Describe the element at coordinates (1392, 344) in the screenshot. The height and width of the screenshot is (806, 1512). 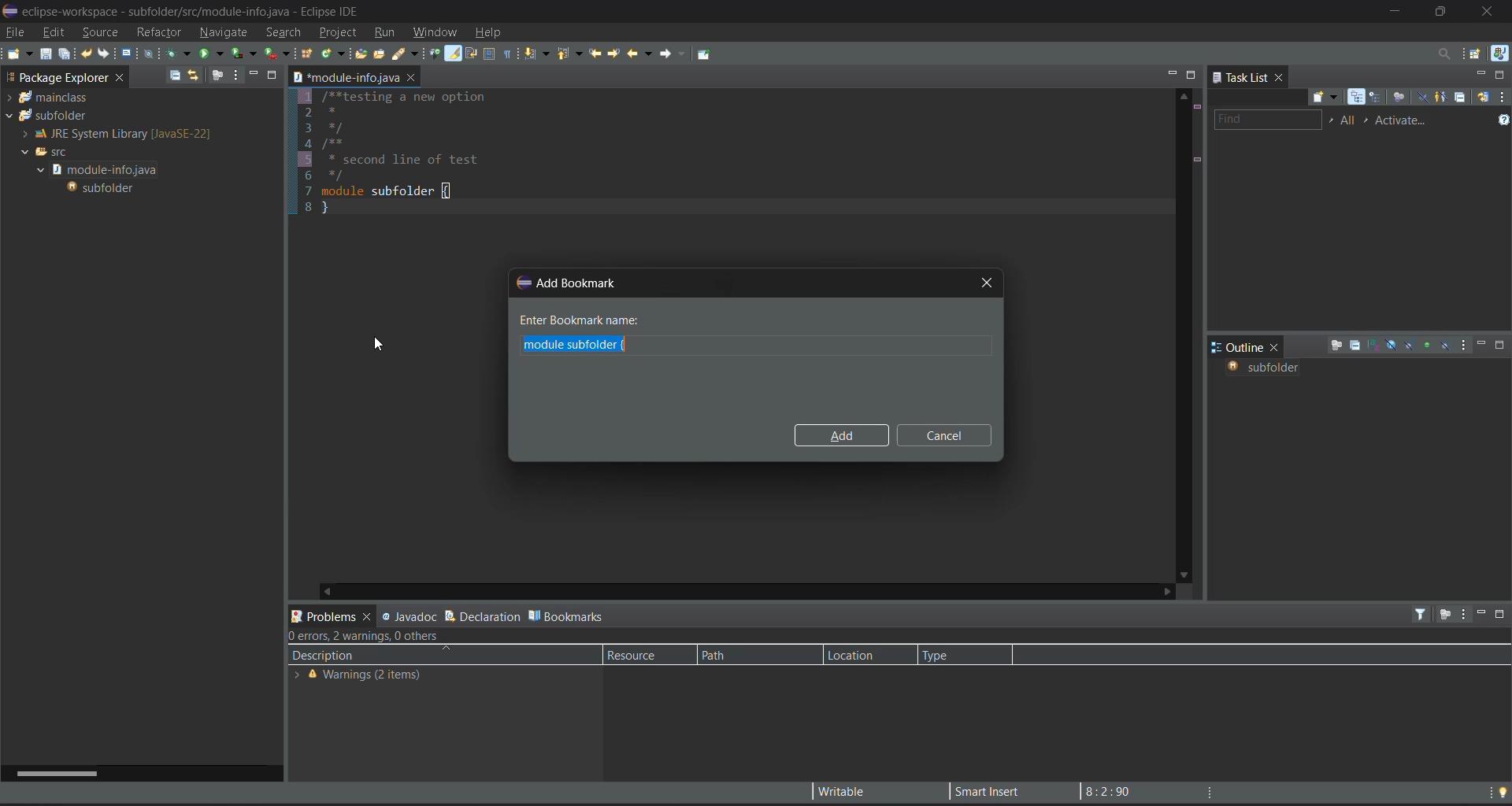
I see `hide fields` at that location.